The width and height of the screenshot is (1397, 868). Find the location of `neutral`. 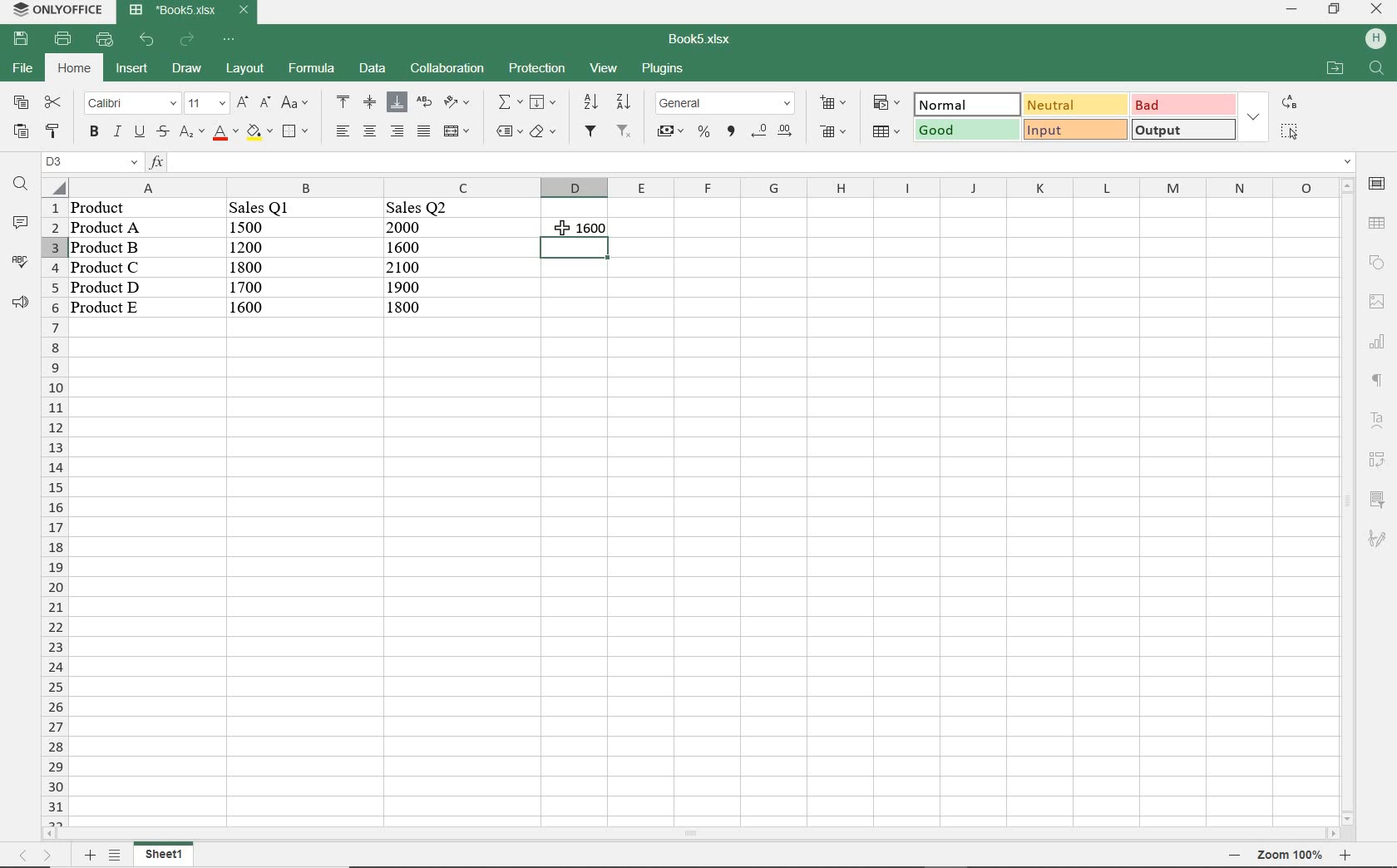

neutral is located at coordinates (1073, 104).